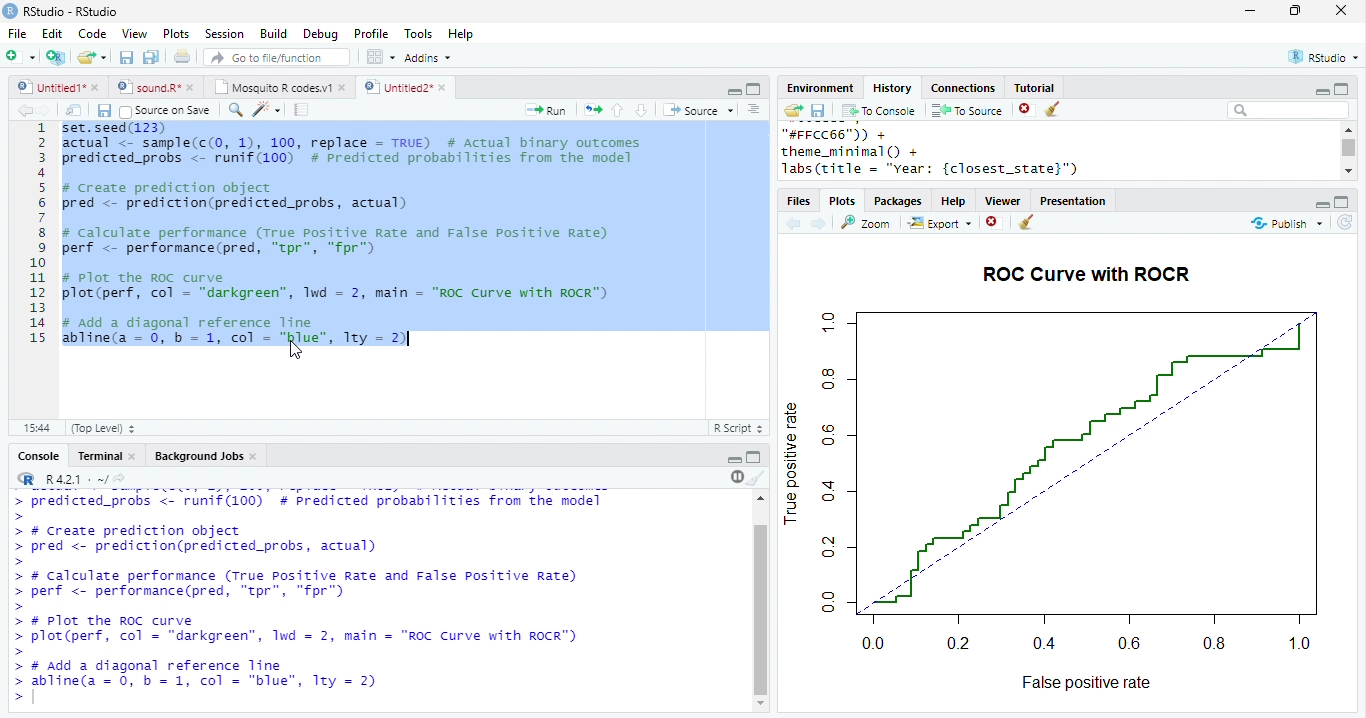 The width and height of the screenshot is (1366, 718). What do you see at coordinates (792, 110) in the screenshot?
I see `open folder` at bounding box center [792, 110].